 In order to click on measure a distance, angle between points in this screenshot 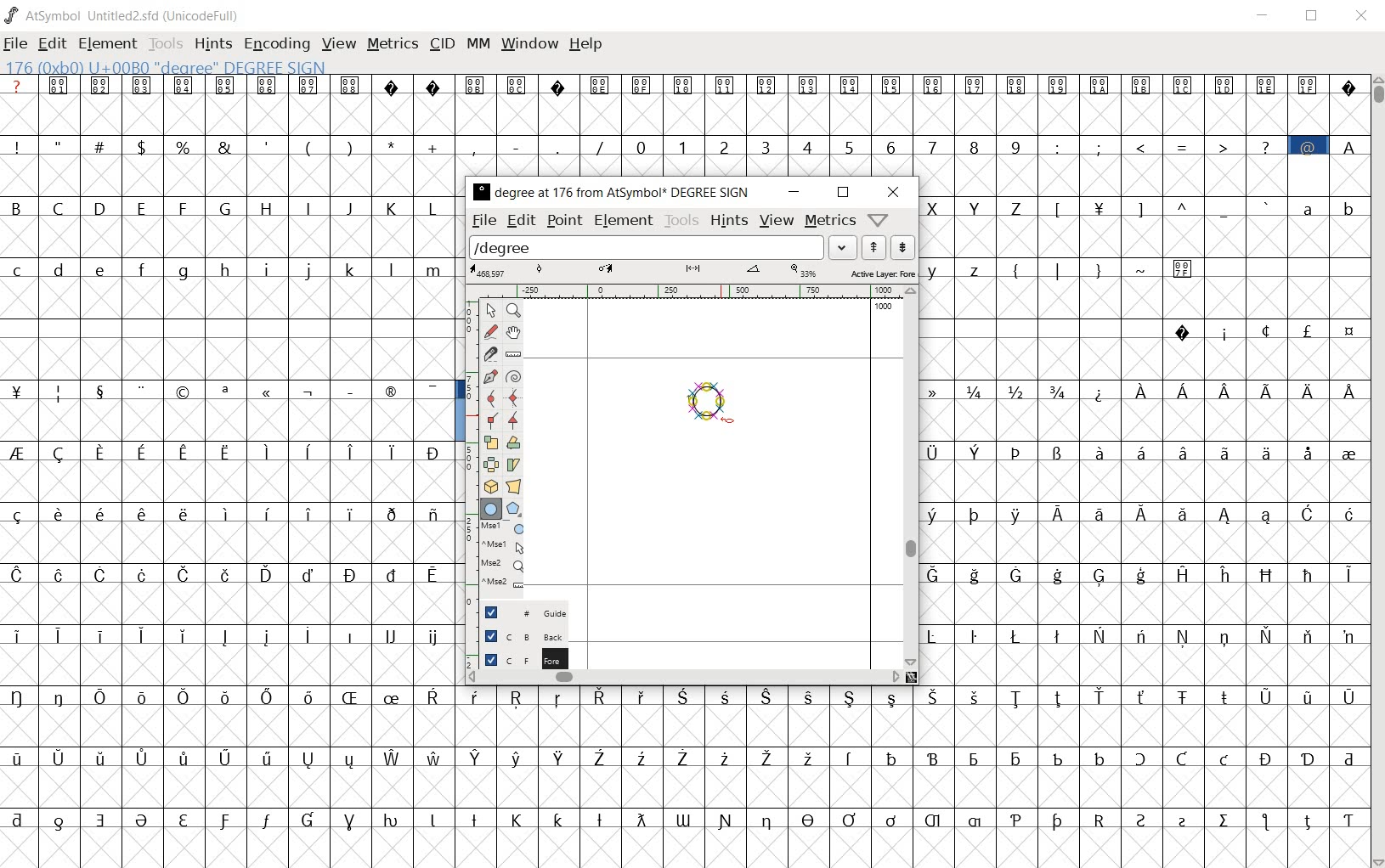, I will do `click(514, 355)`.